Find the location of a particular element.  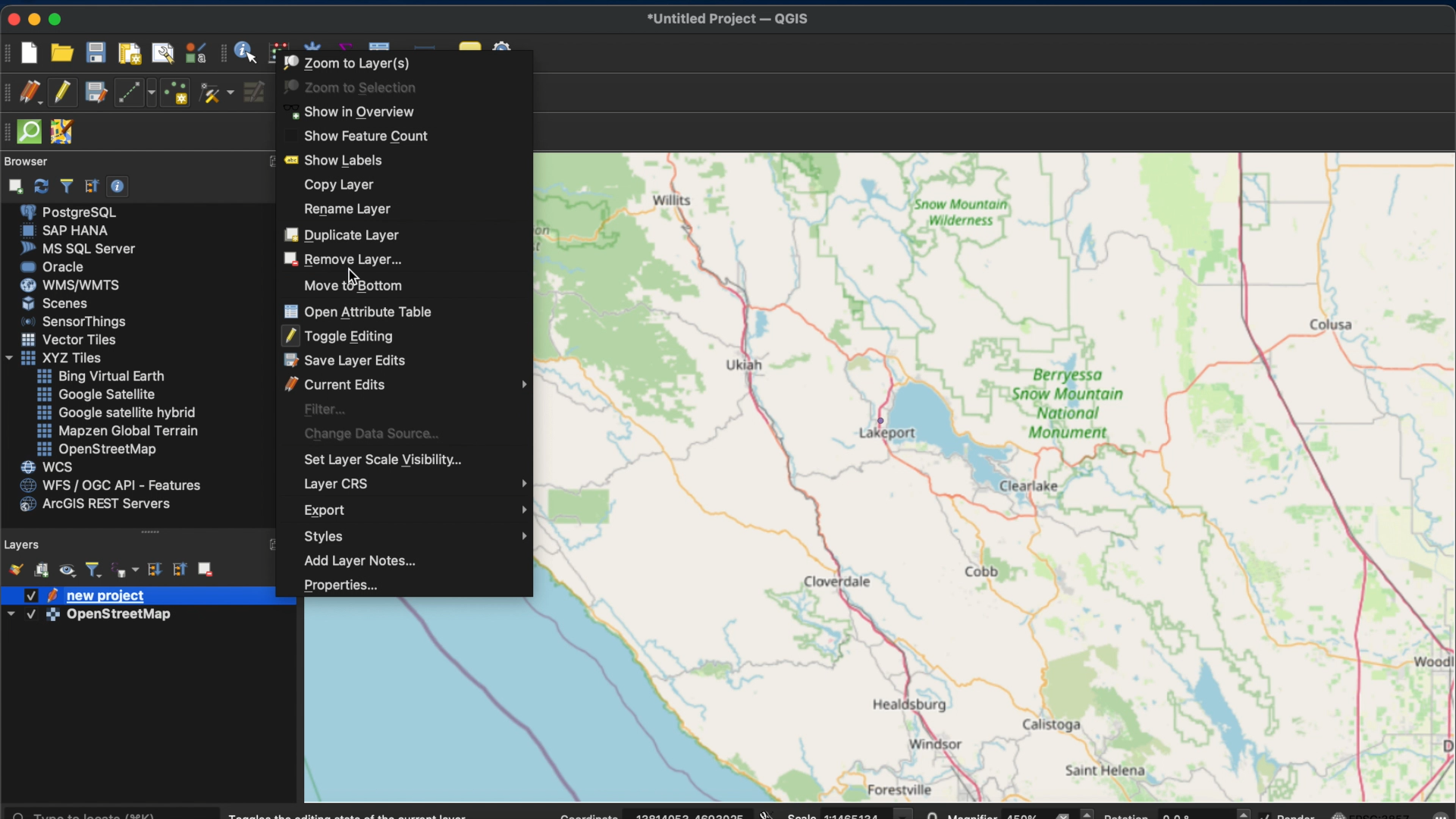

drag handle is located at coordinates (9, 133).